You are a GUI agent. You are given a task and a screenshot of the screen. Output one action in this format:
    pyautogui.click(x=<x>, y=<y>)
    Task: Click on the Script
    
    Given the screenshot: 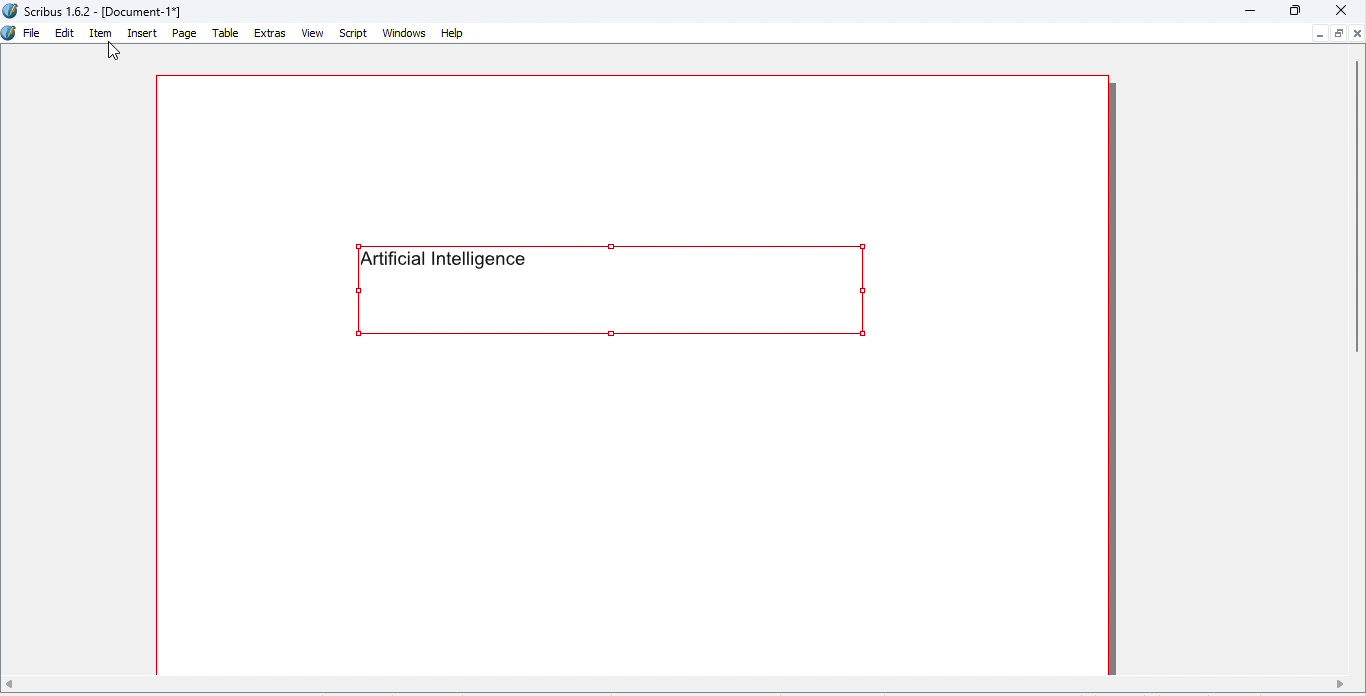 What is the action you would take?
    pyautogui.click(x=354, y=33)
    